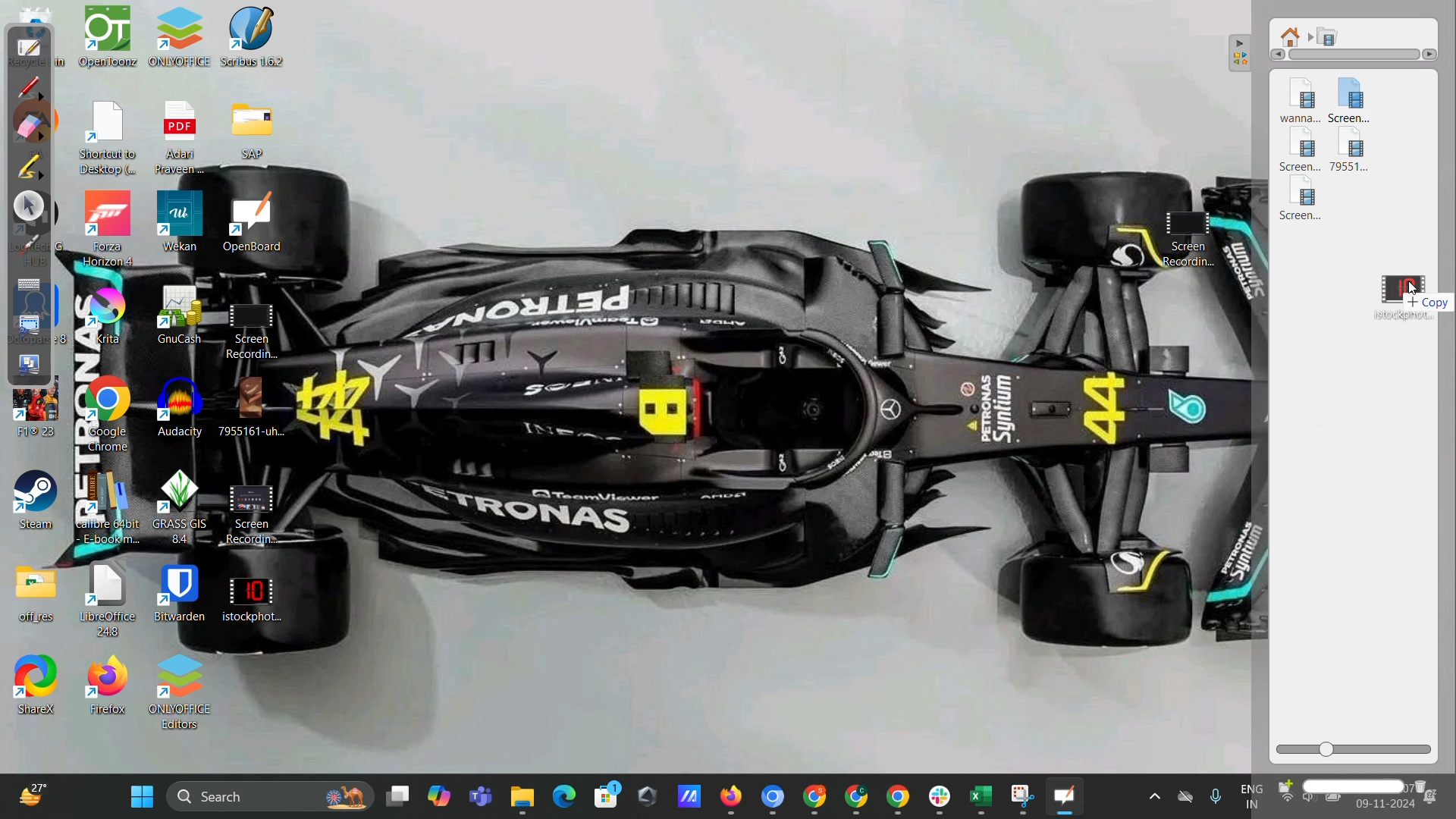  I want to click on Krita, so click(111, 313).